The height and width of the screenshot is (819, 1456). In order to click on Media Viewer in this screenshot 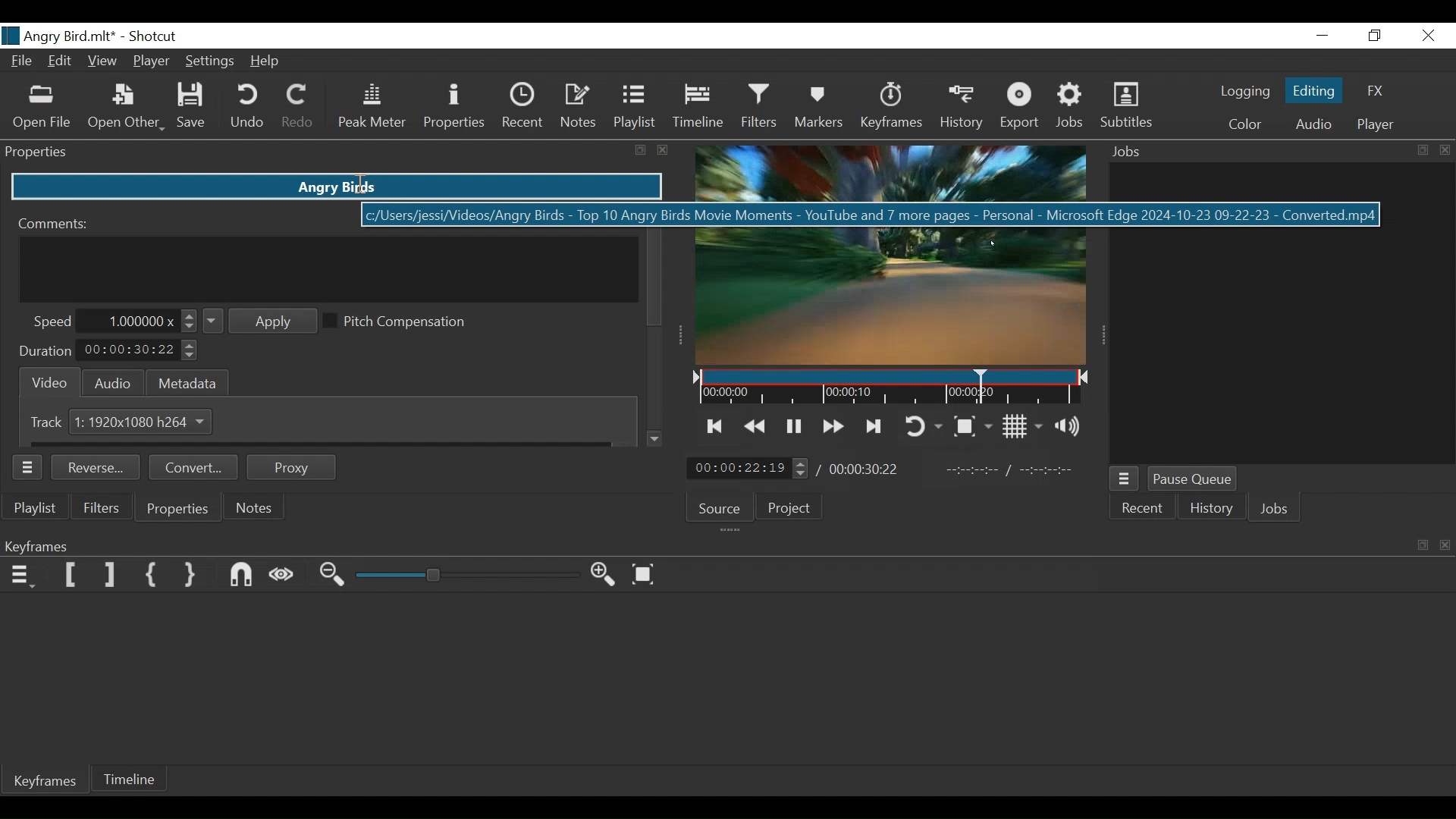, I will do `click(890, 255)`.